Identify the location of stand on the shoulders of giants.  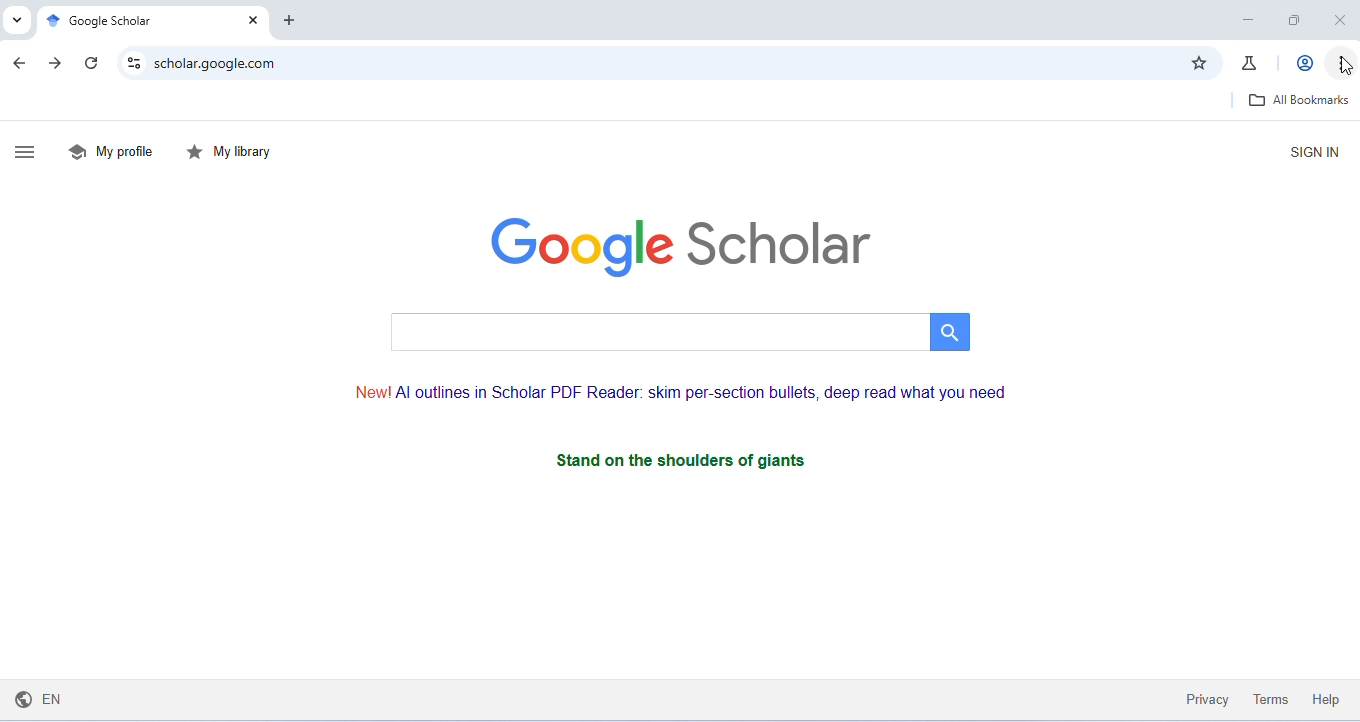
(687, 460).